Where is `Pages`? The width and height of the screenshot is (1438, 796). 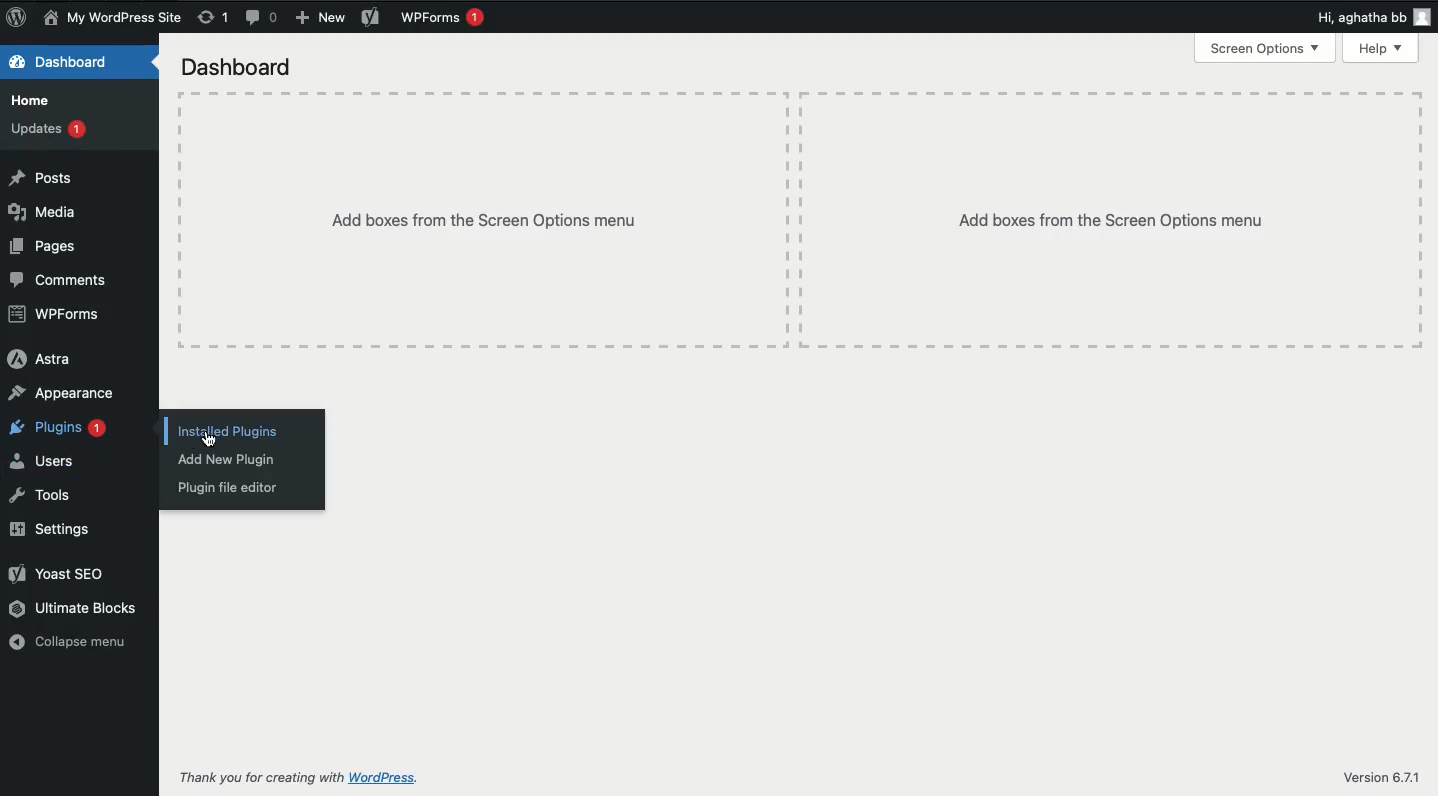
Pages is located at coordinates (43, 246).